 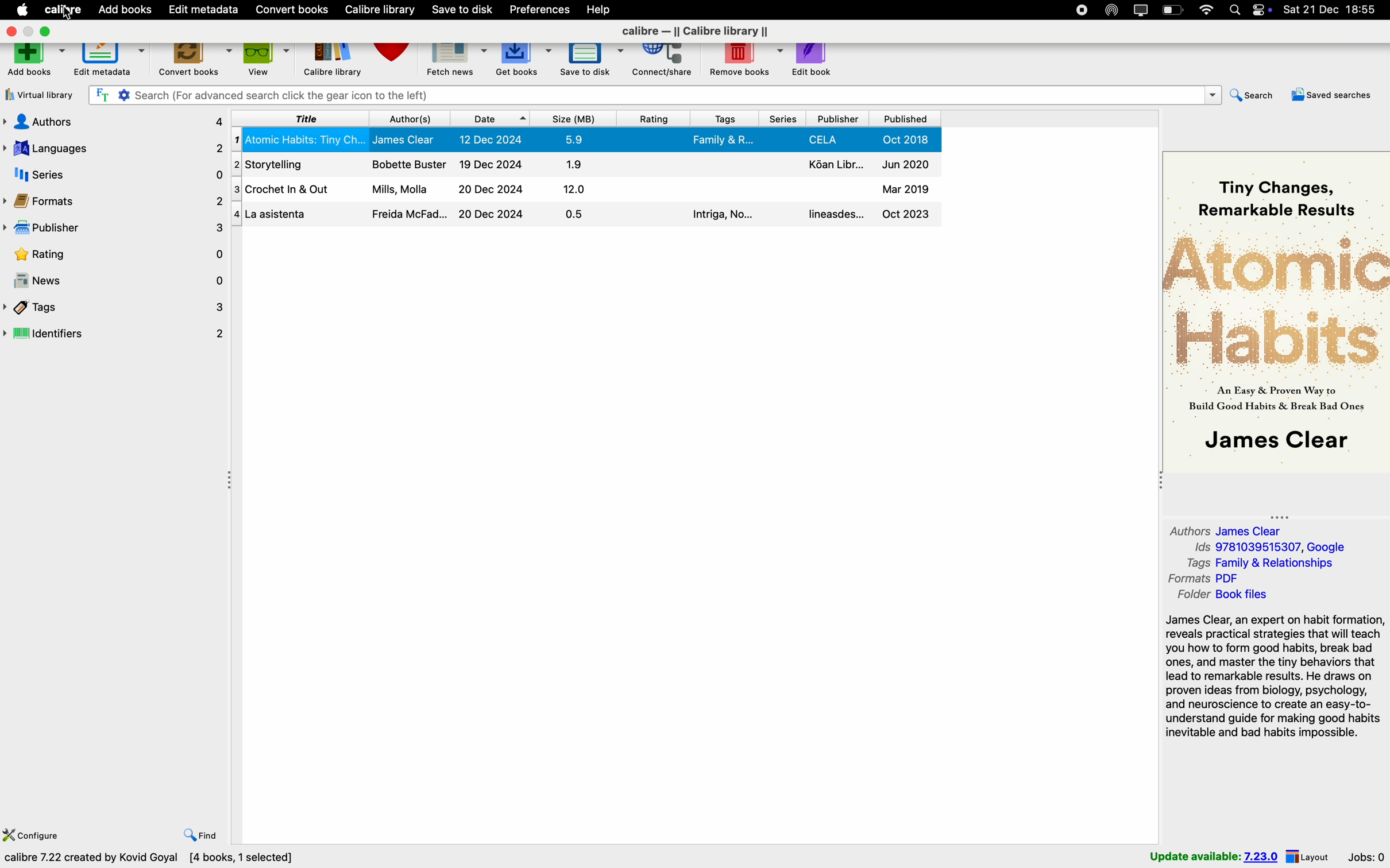 What do you see at coordinates (49, 32) in the screenshot?
I see `maximize Calibre` at bounding box center [49, 32].